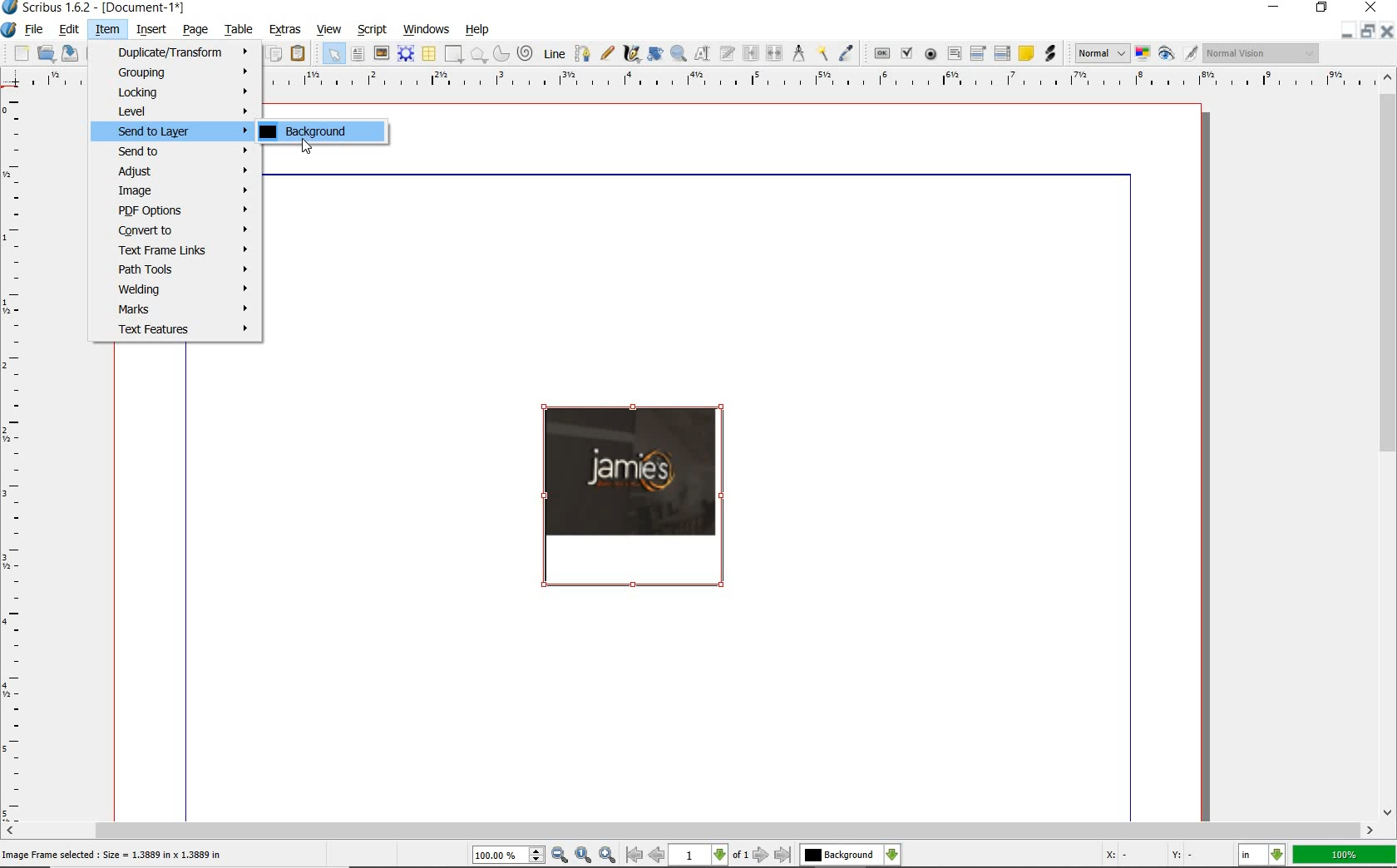  What do you see at coordinates (479, 54) in the screenshot?
I see `polygon` at bounding box center [479, 54].